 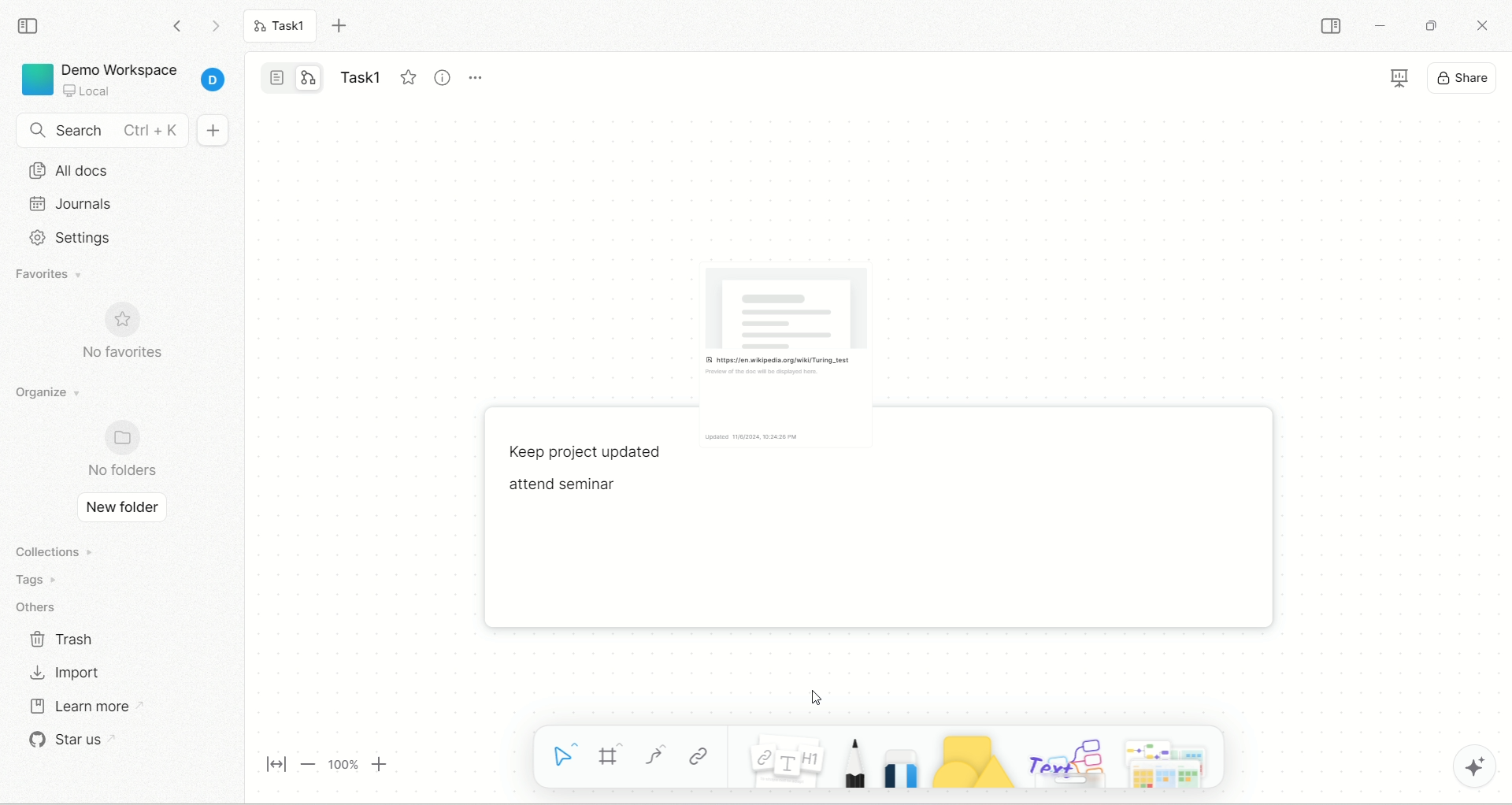 I want to click on minimize, so click(x=1382, y=28).